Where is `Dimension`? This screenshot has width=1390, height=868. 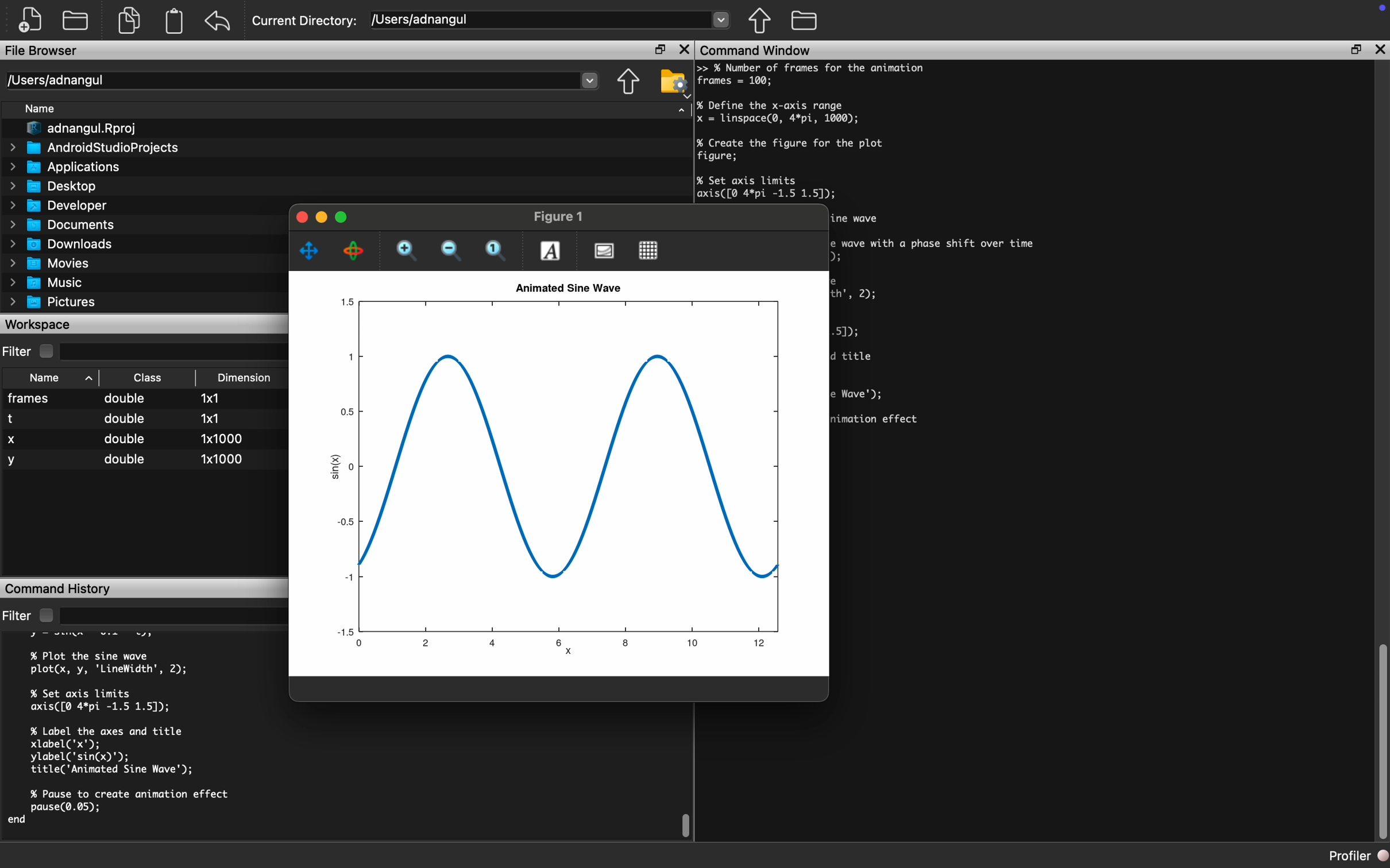 Dimension is located at coordinates (244, 377).